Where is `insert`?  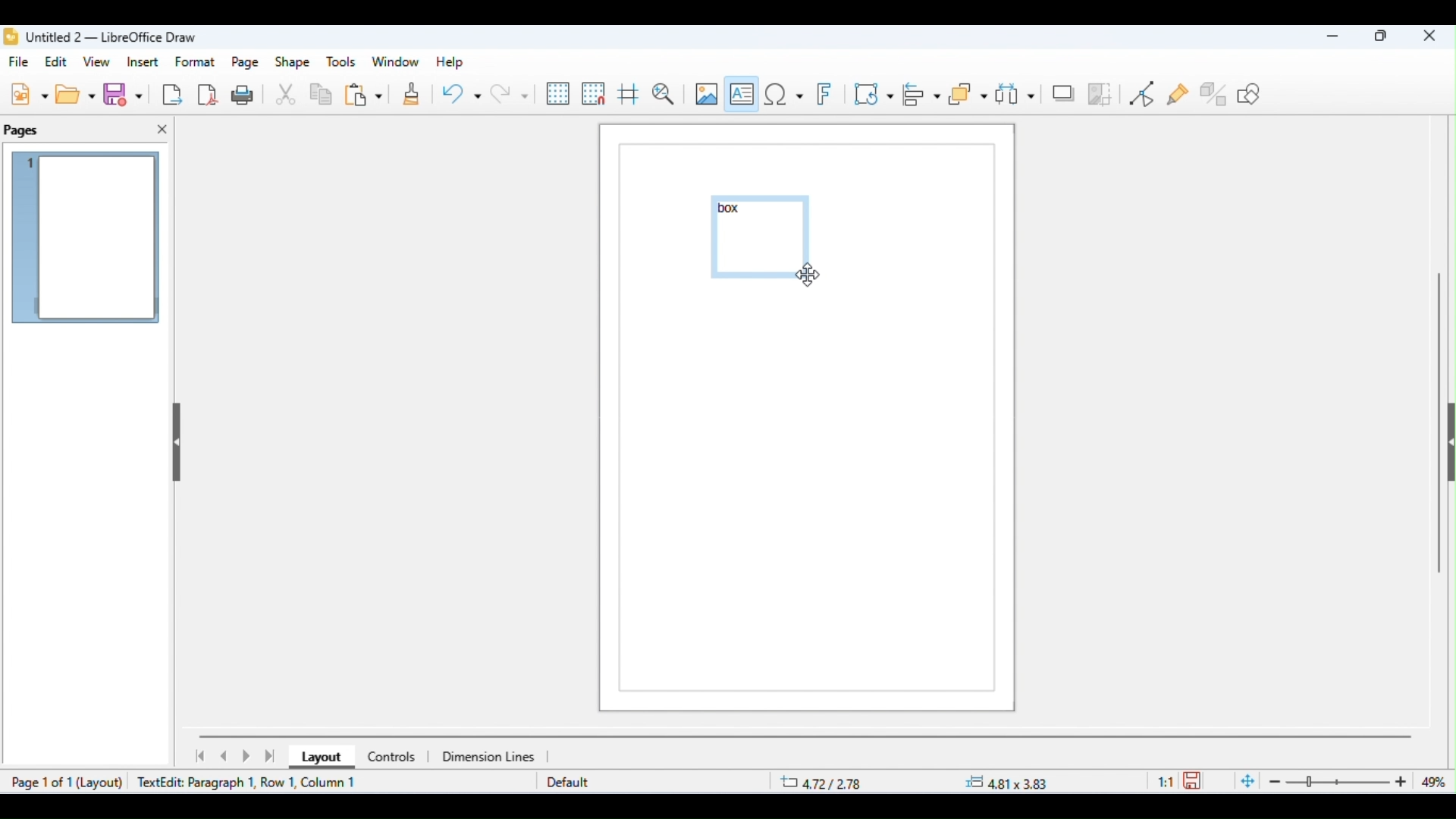
insert is located at coordinates (143, 61).